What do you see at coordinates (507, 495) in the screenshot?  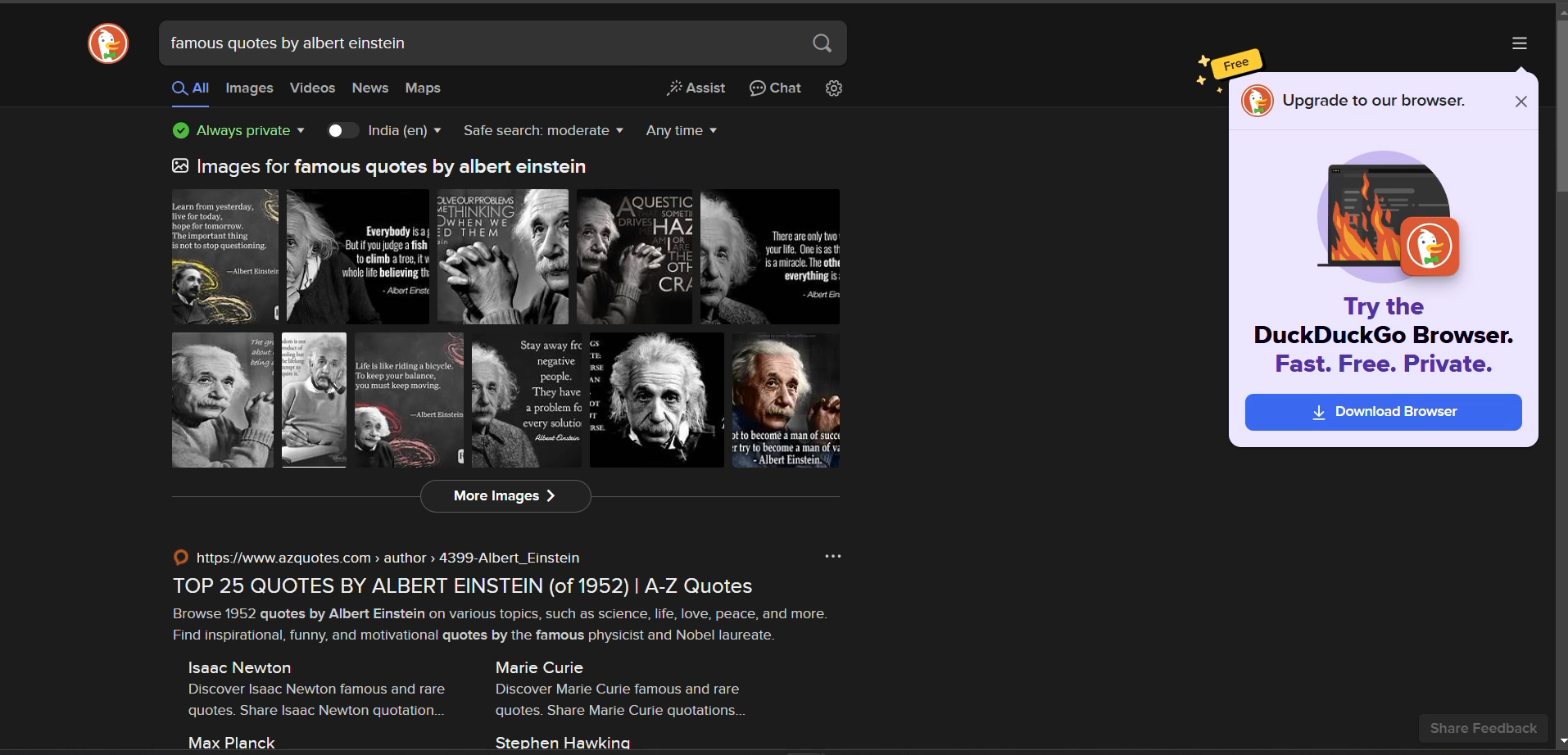 I see `more images` at bounding box center [507, 495].